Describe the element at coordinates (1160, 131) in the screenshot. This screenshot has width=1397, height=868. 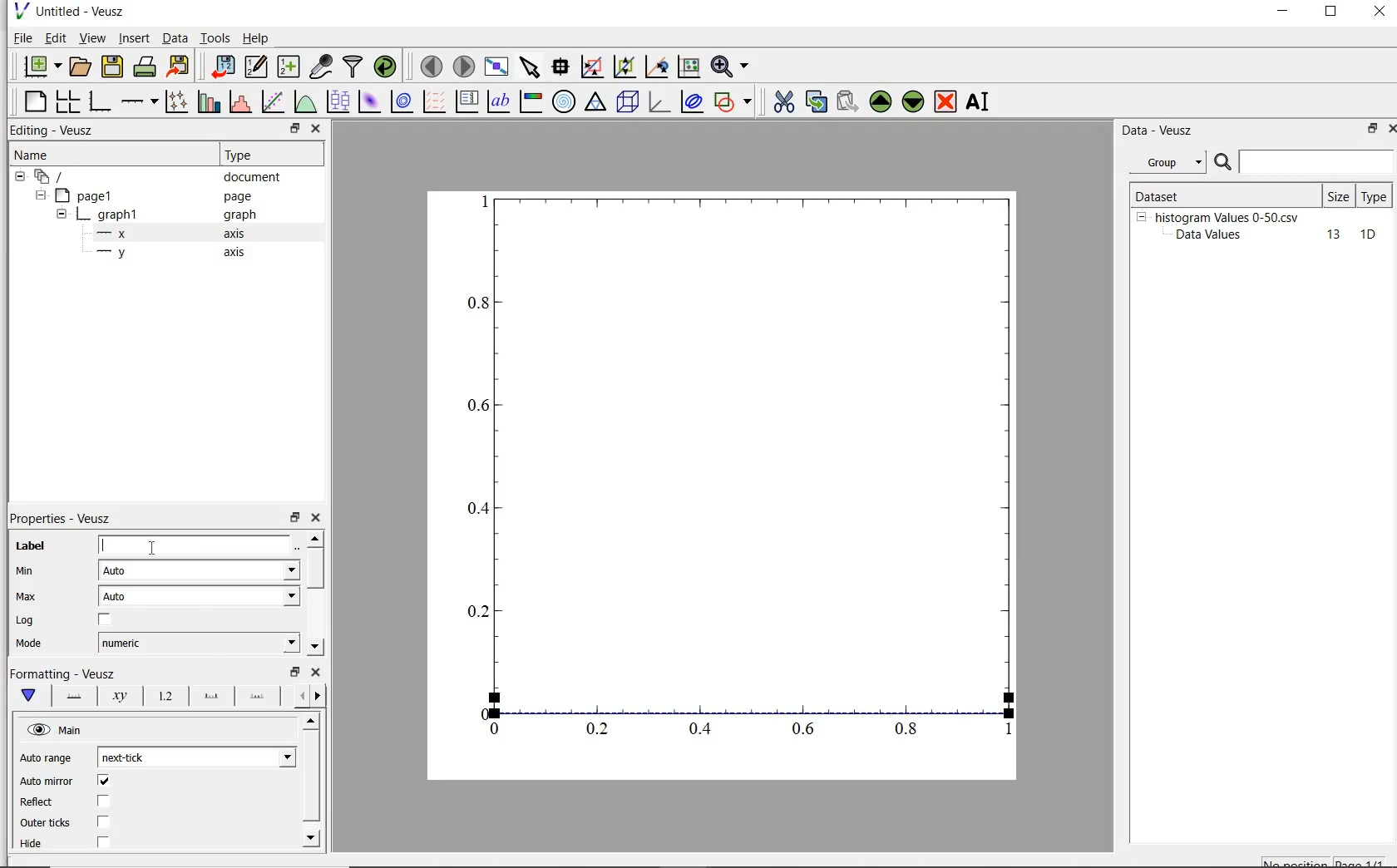
I see `Data - veusz` at that location.